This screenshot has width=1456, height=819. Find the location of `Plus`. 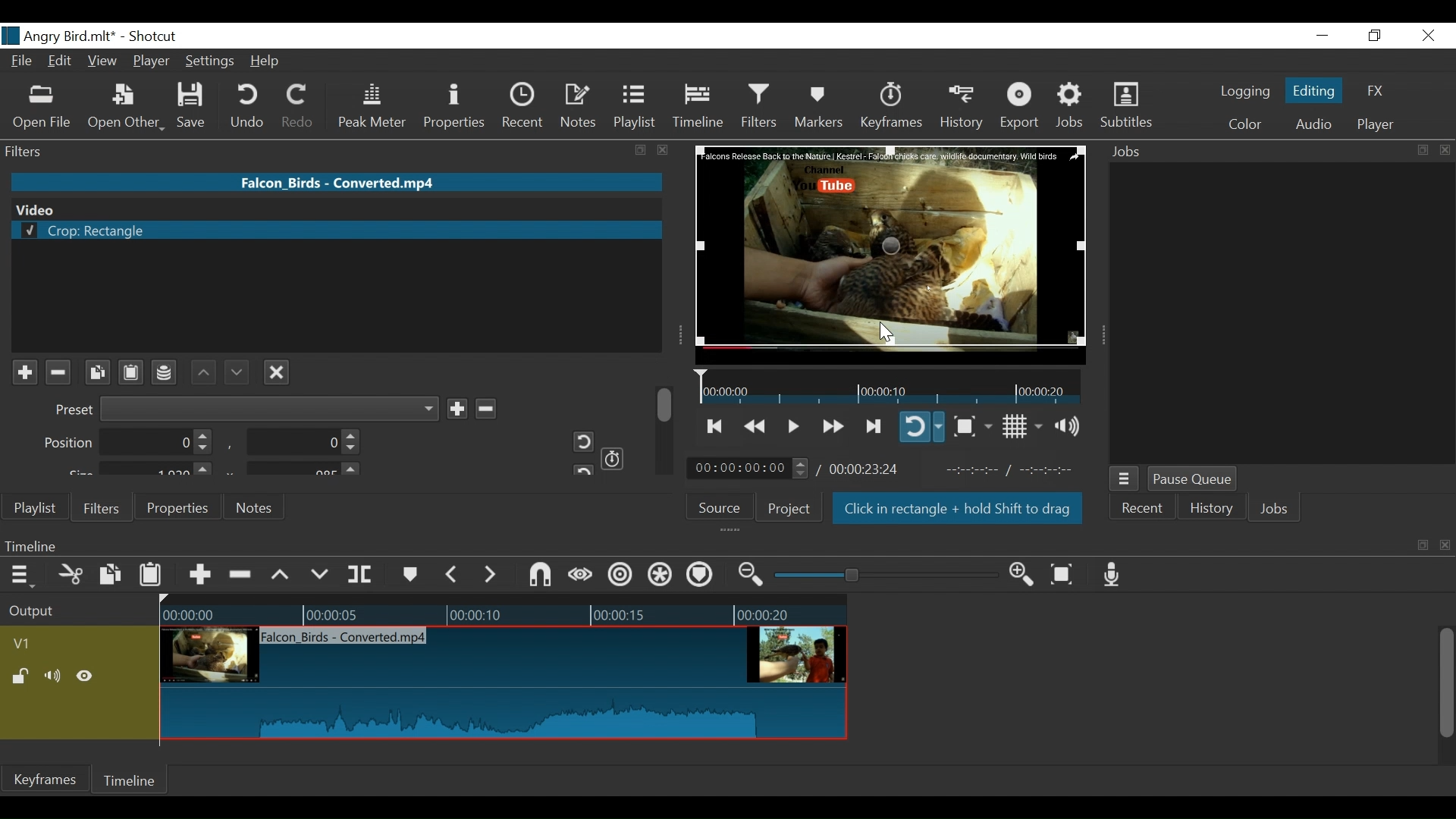

Plus is located at coordinates (24, 373).